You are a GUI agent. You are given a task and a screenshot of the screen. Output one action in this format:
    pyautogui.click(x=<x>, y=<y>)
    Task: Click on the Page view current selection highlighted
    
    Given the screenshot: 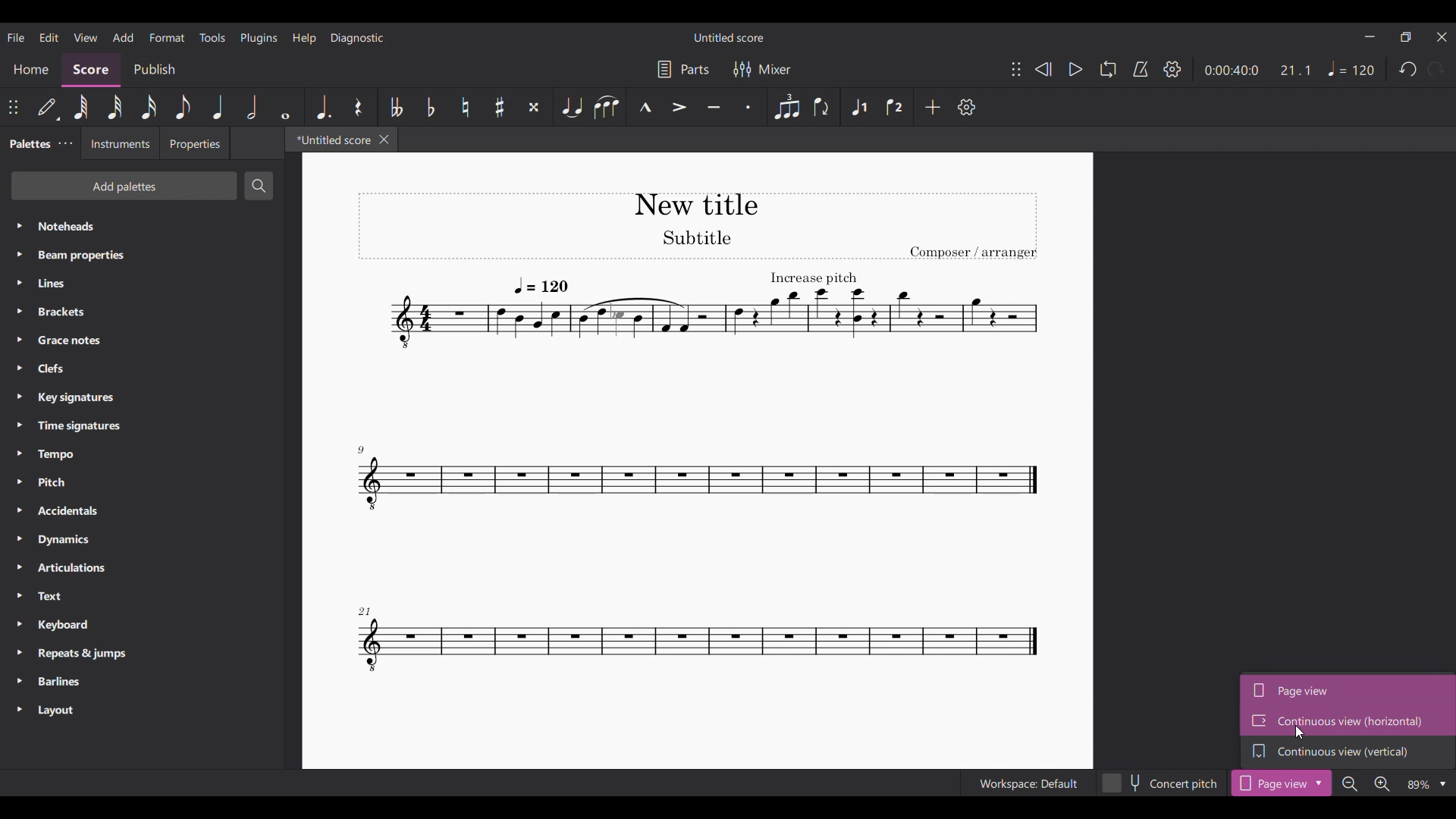 What is the action you would take?
    pyautogui.click(x=1282, y=783)
    